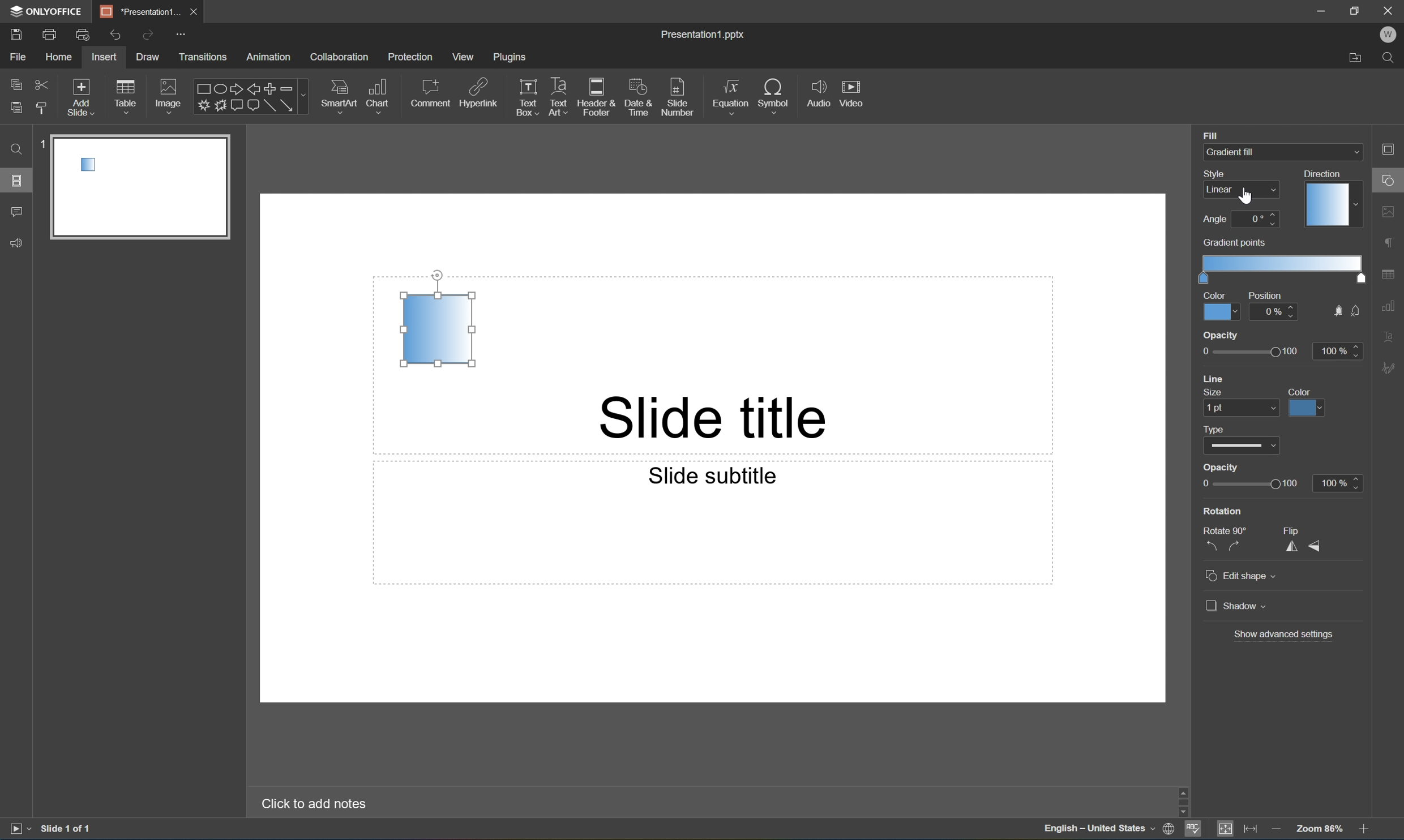 The image size is (1404, 840). I want to click on Scroll Up, so click(1364, 788).